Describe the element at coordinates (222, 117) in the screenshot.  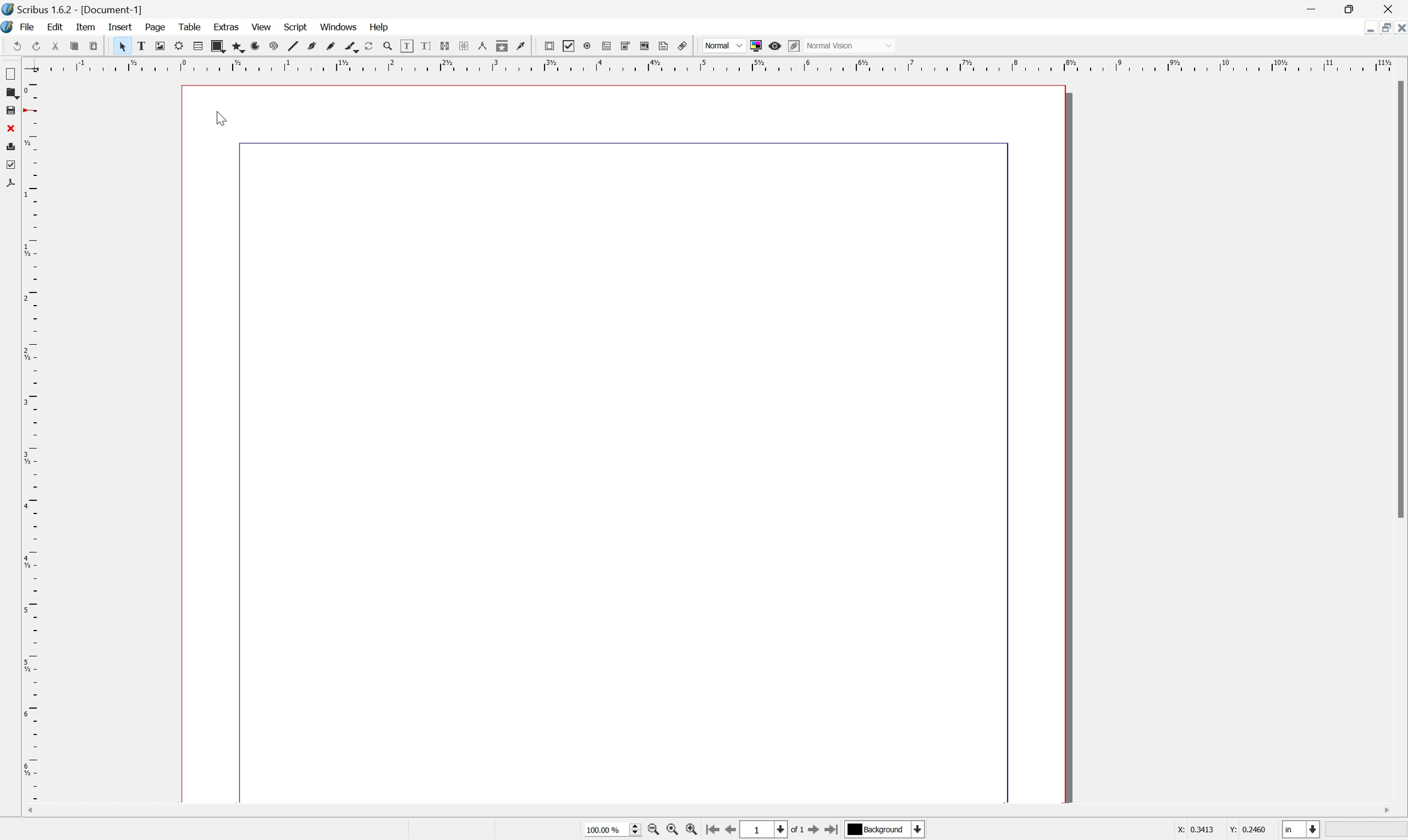
I see `Cursor` at that location.